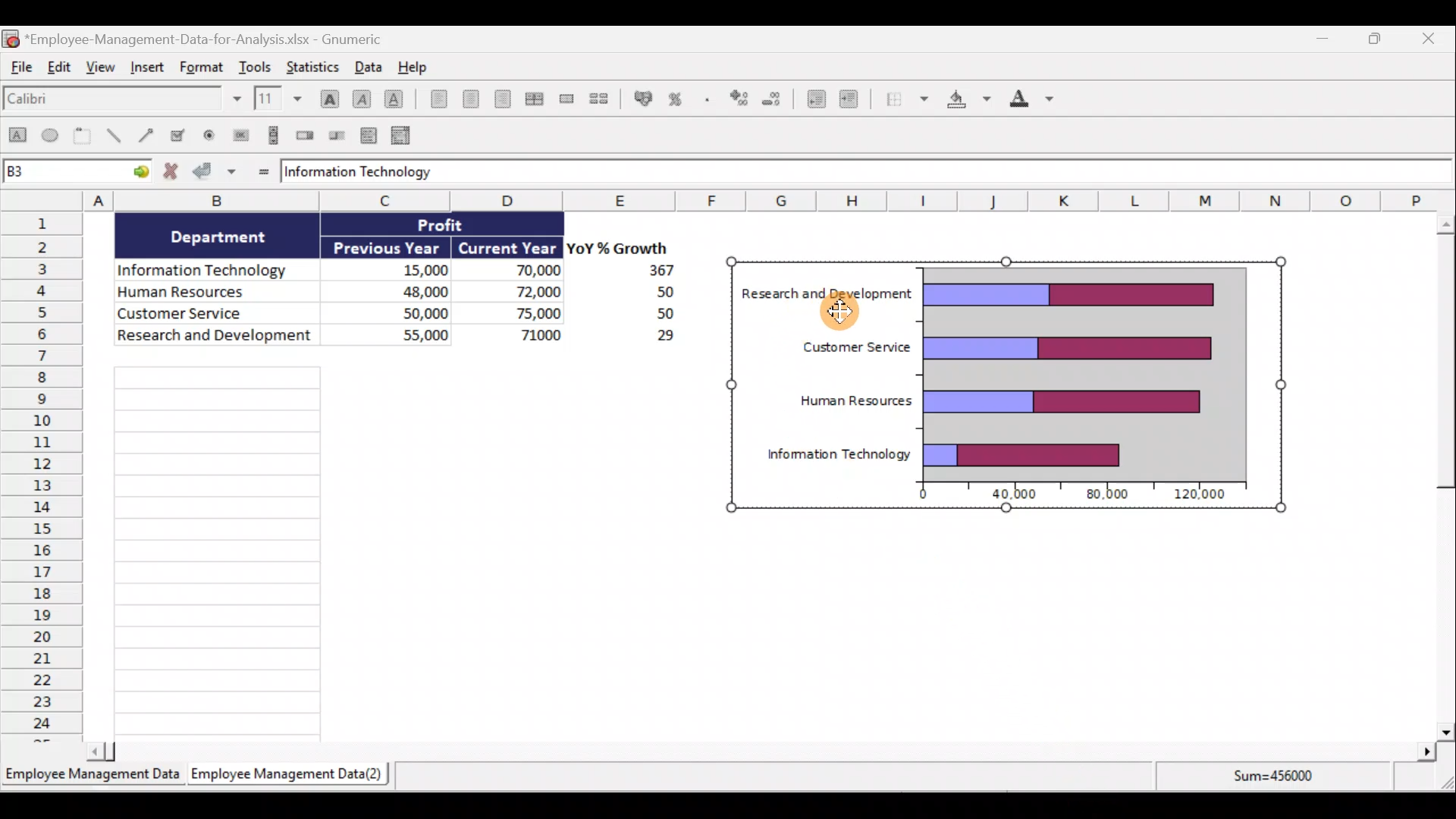 The height and width of the screenshot is (819, 1456). Describe the element at coordinates (538, 99) in the screenshot. I see `Centre horizontally across the selection` at that location.